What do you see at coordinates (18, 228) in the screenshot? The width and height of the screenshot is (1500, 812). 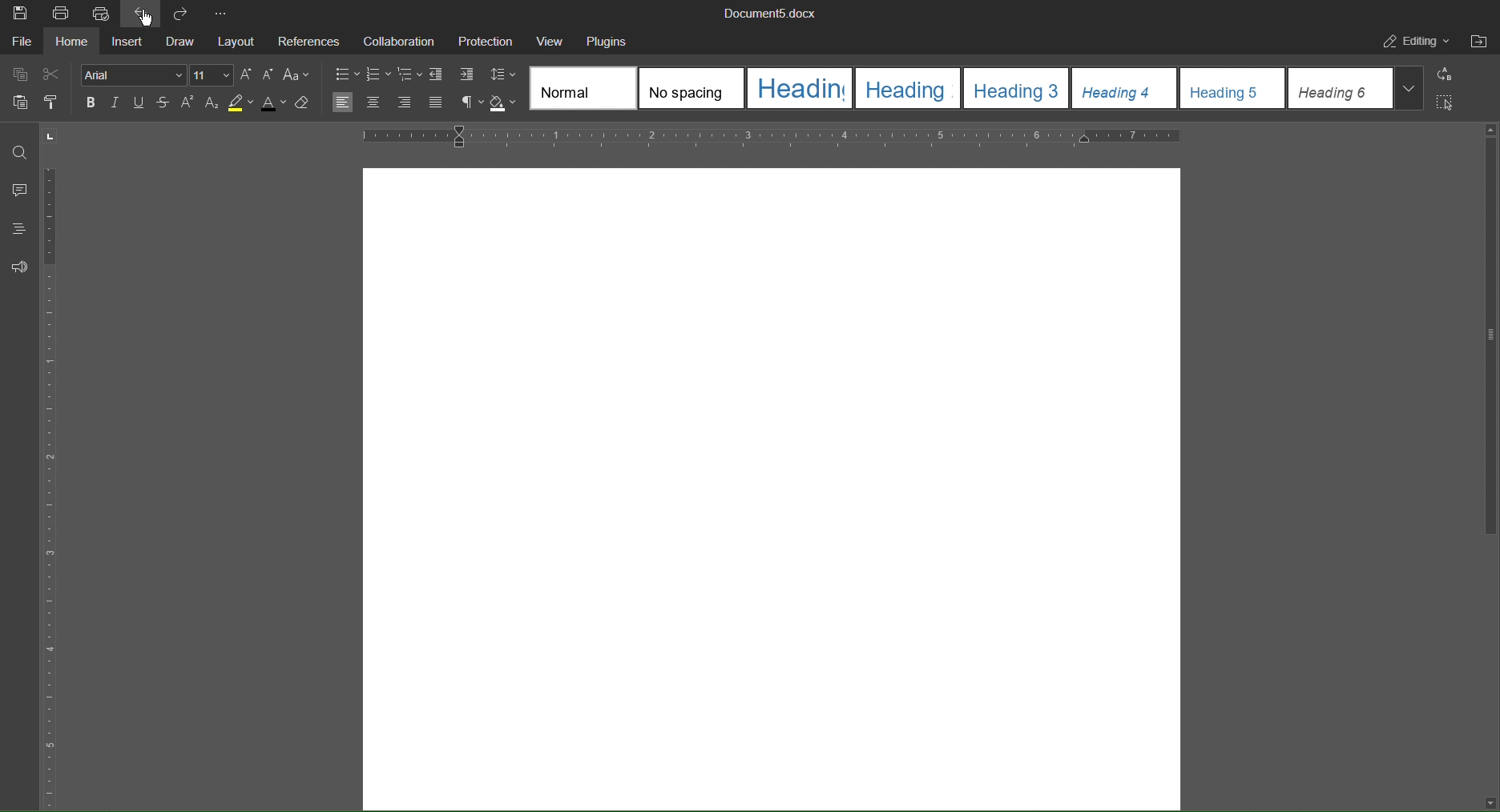 I see `Headings` at bounding box center [18, 228].